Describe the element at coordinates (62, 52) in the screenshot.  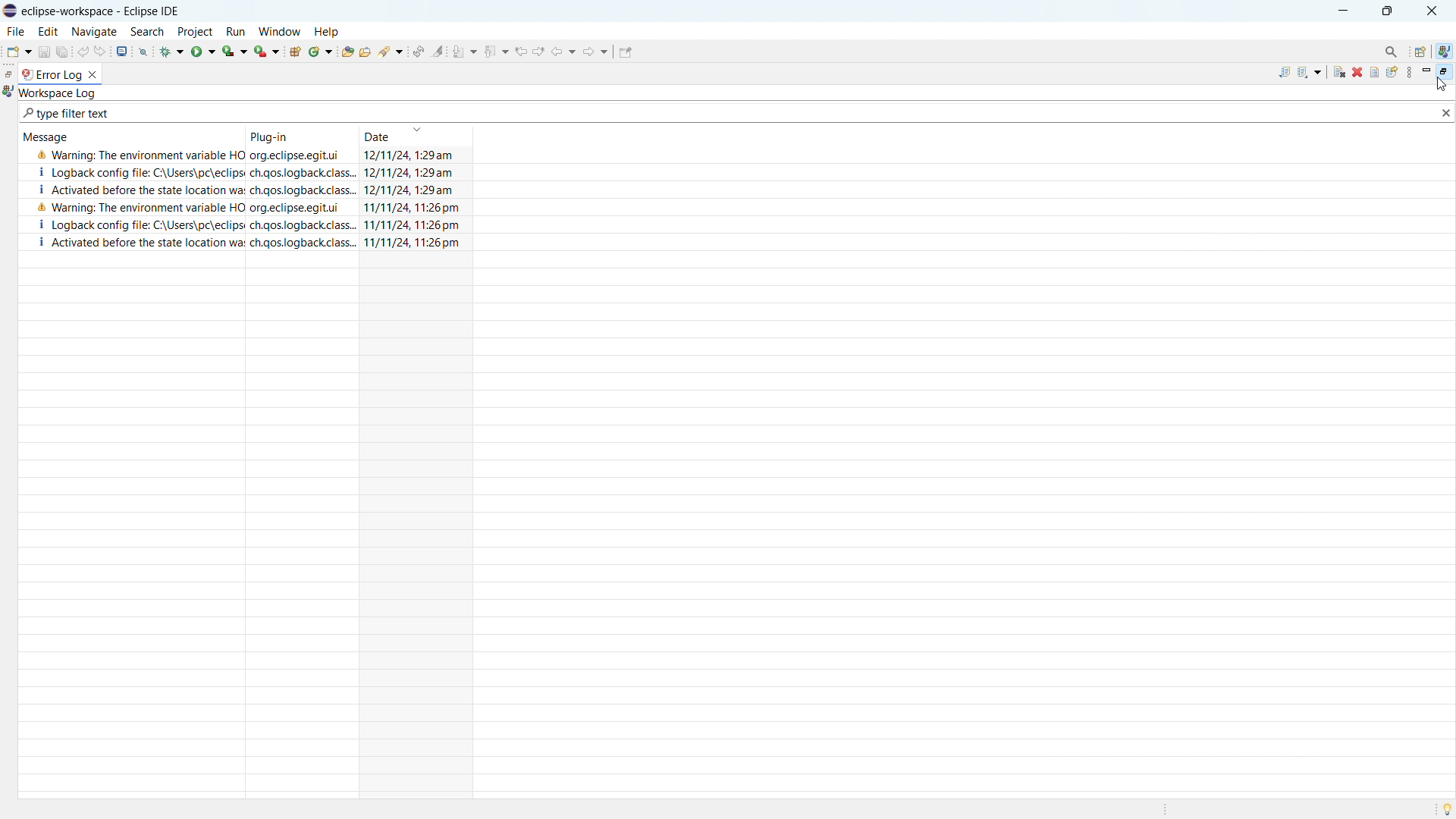
I see `save all` at that location.